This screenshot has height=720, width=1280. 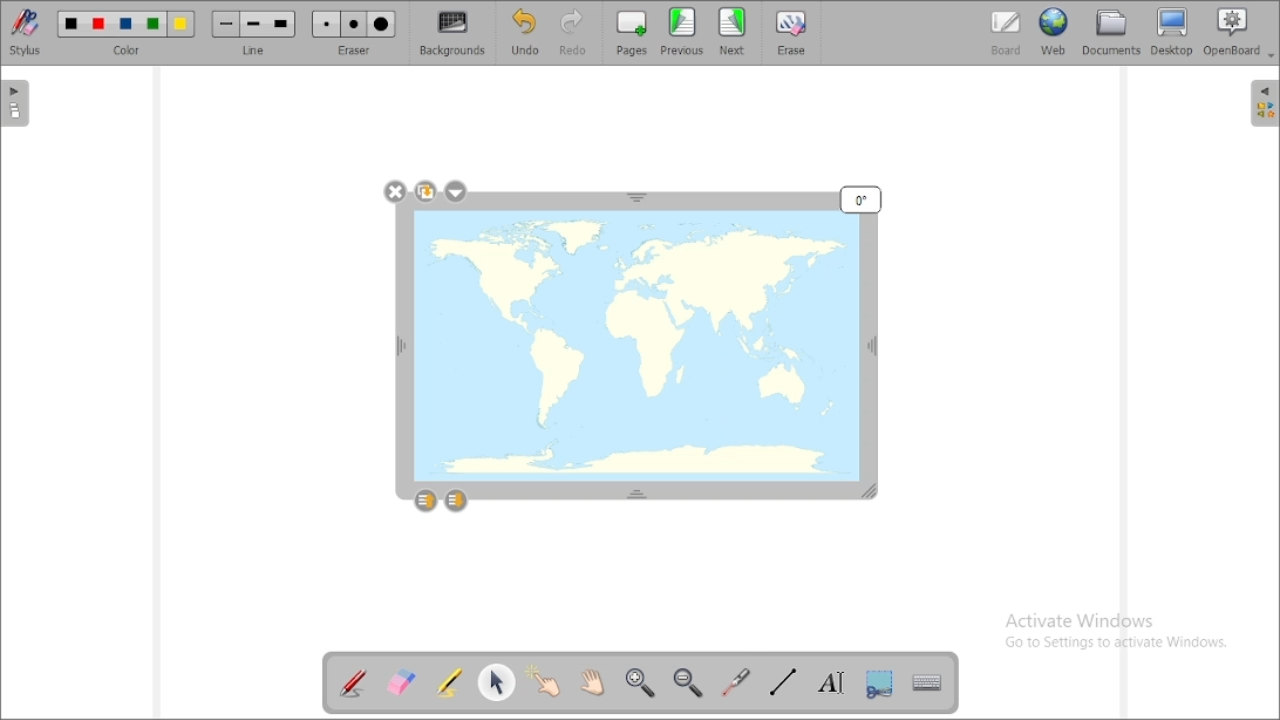 I want to click on mouse down, so click(x=861, y=201).